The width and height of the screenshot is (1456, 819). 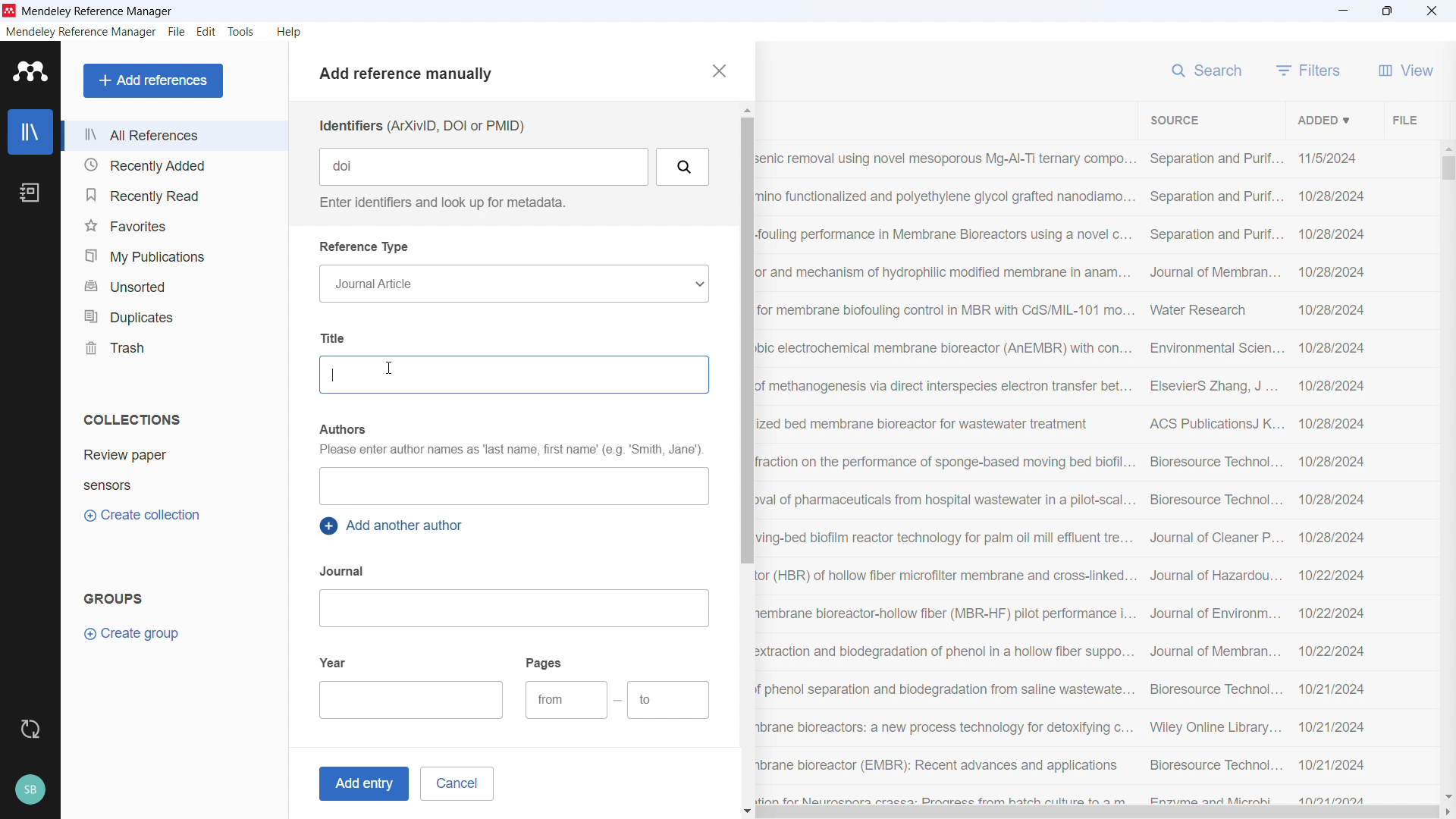 I want to click on Add references , so click(x=154, y=80).